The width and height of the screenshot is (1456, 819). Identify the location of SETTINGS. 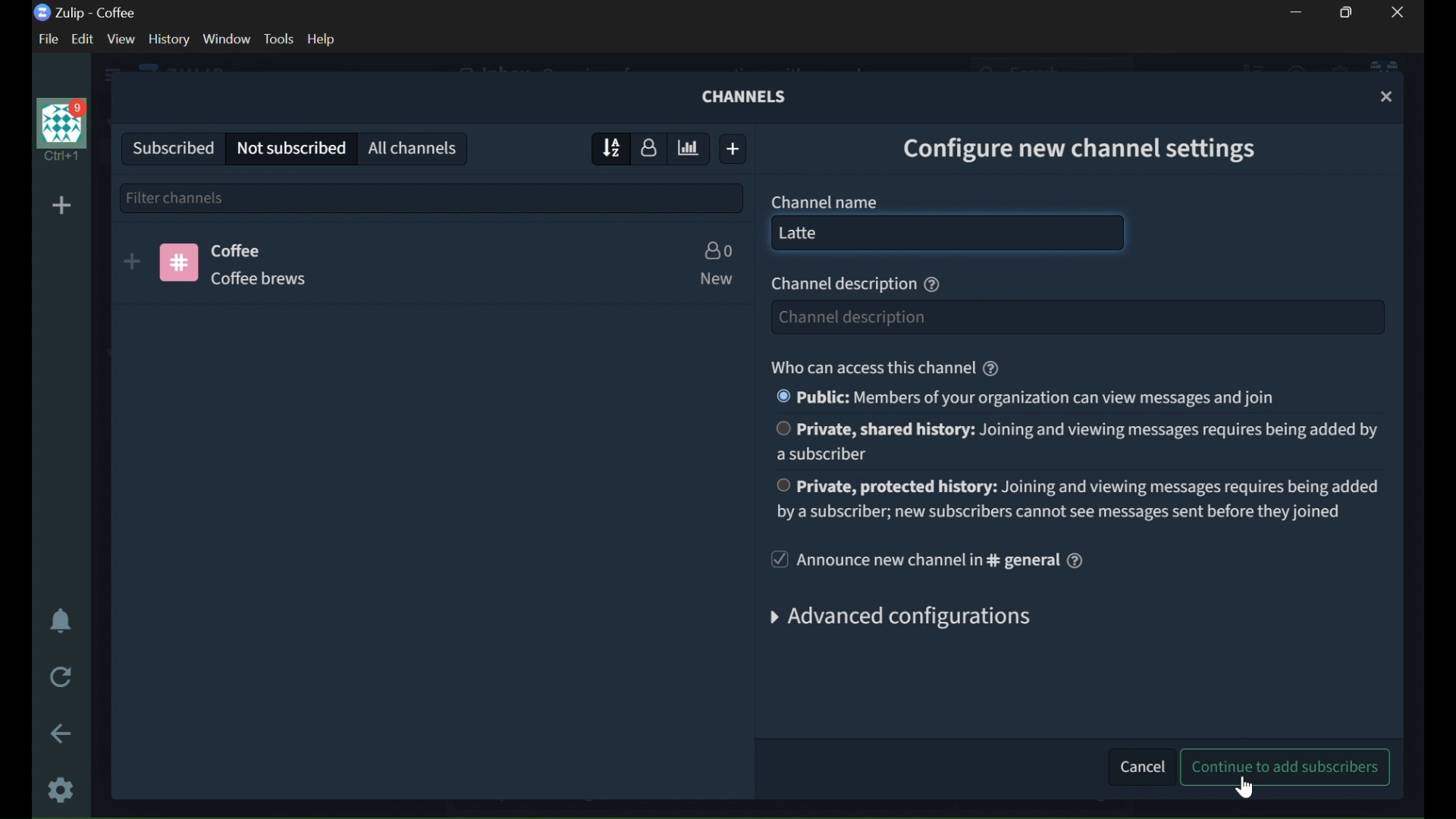
(62, 789).